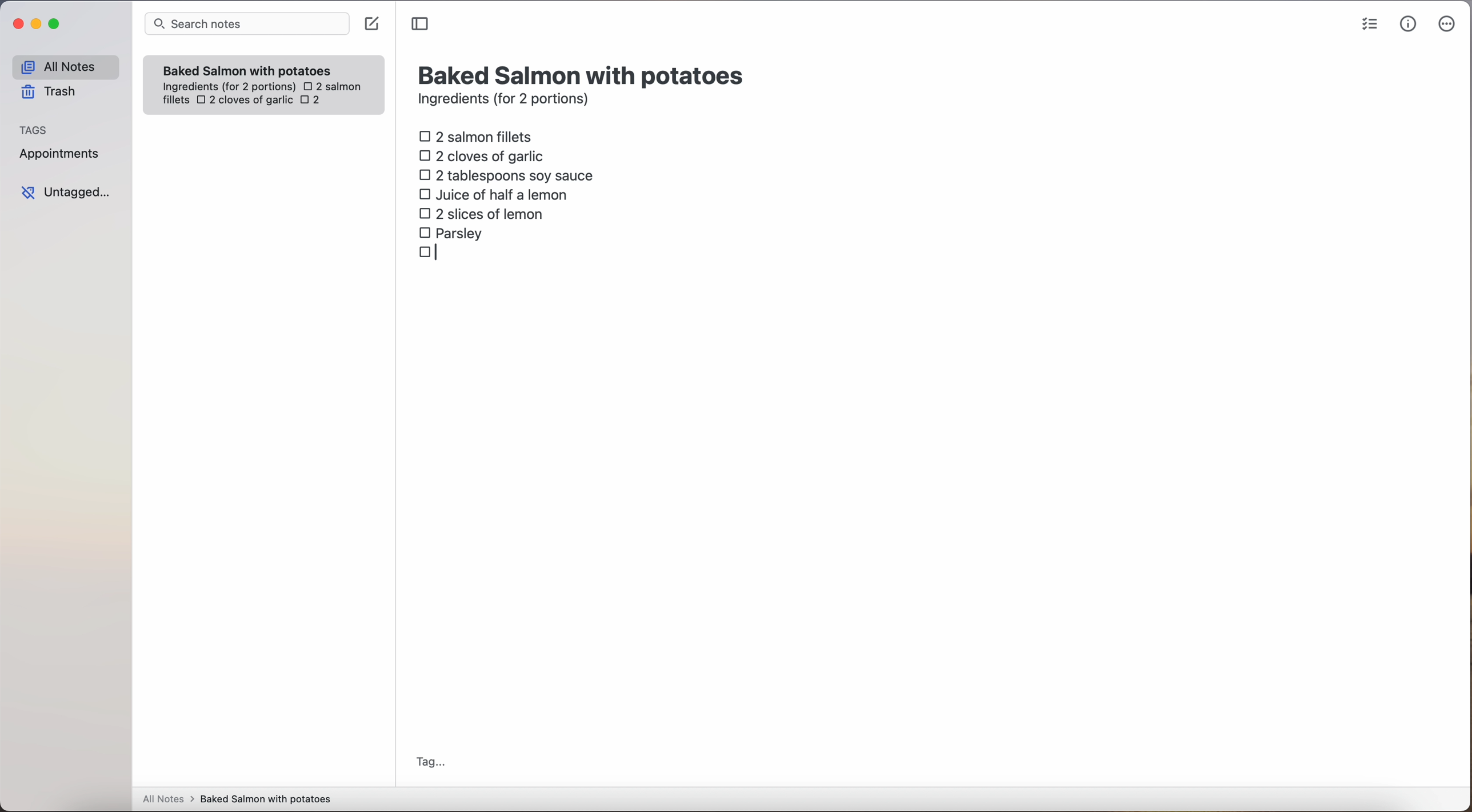 The image size is (1472, 812). I want to click on Baked Salmon with potatoes, so click(247, 68).